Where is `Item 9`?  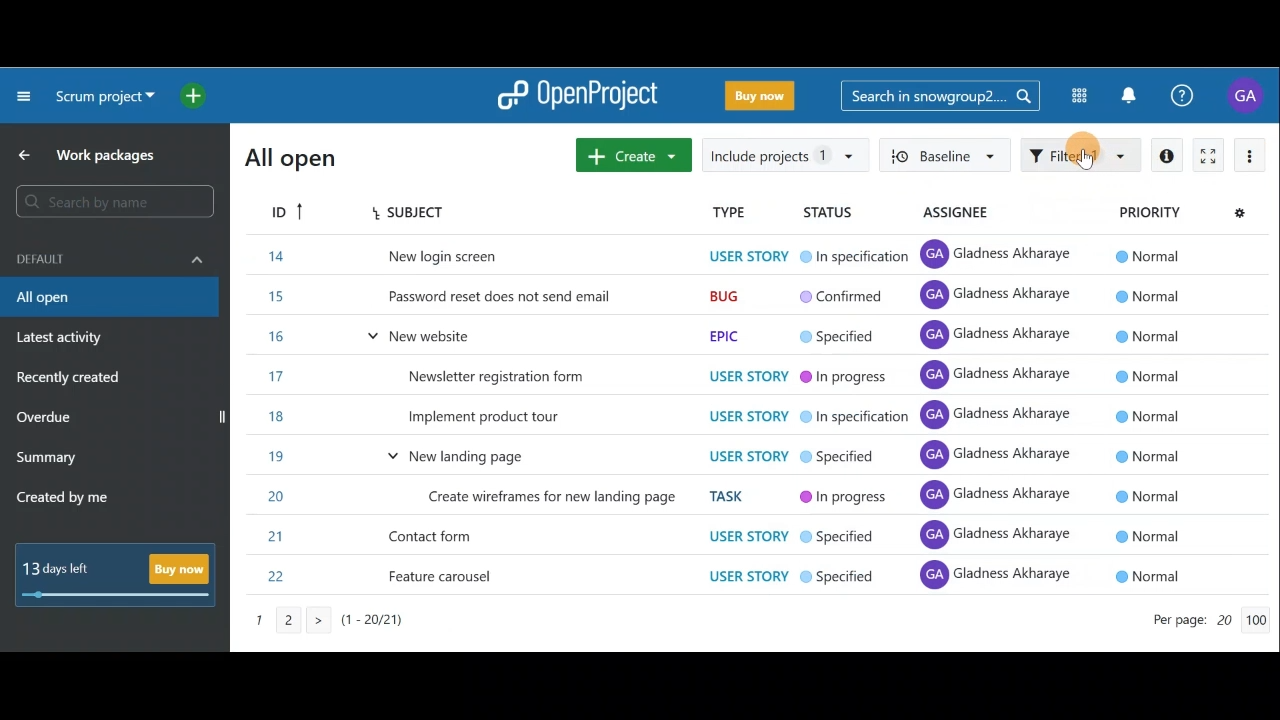
Item 9 is located at coordinates (733, 577).